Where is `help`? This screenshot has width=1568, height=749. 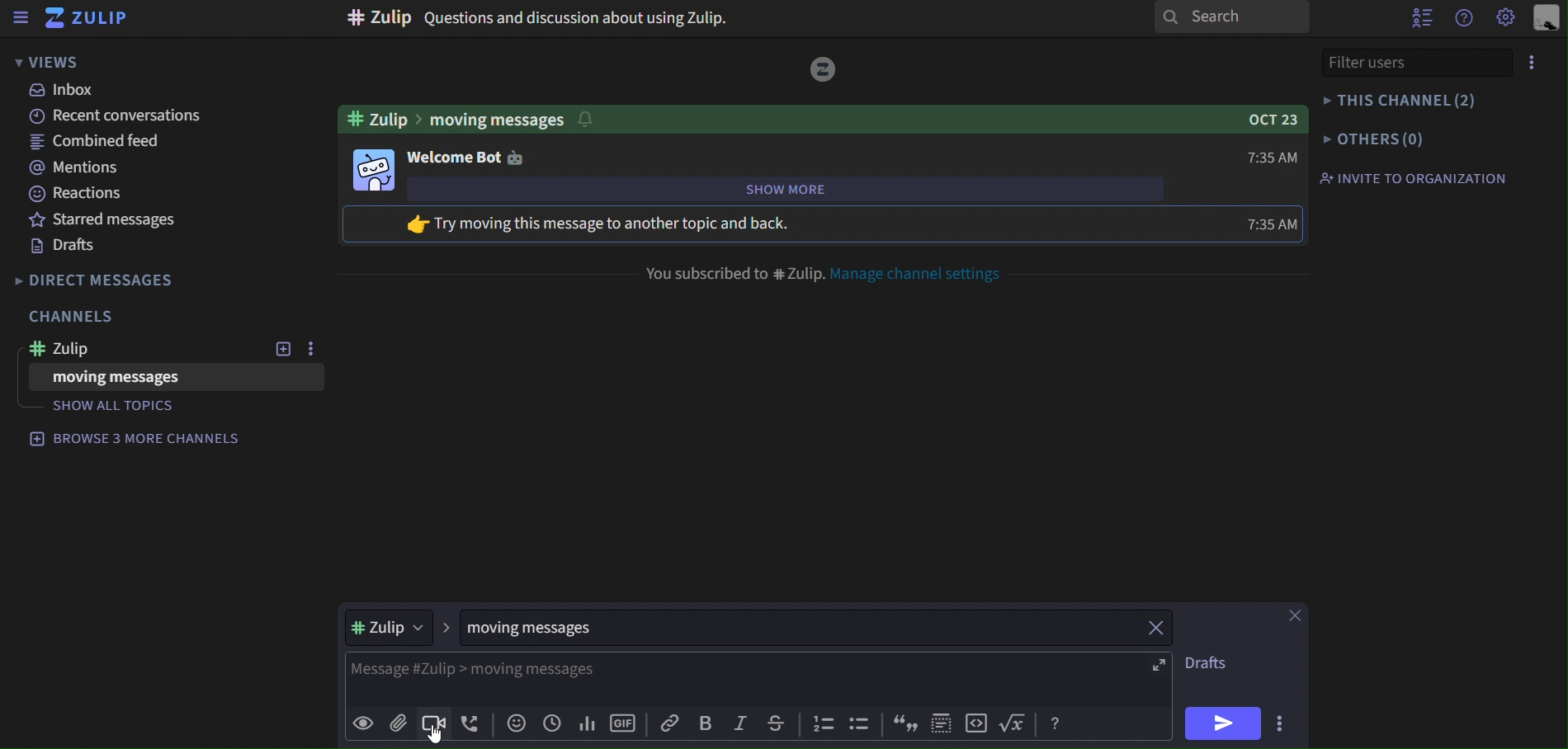
help is located at coordinates (1460, 19).